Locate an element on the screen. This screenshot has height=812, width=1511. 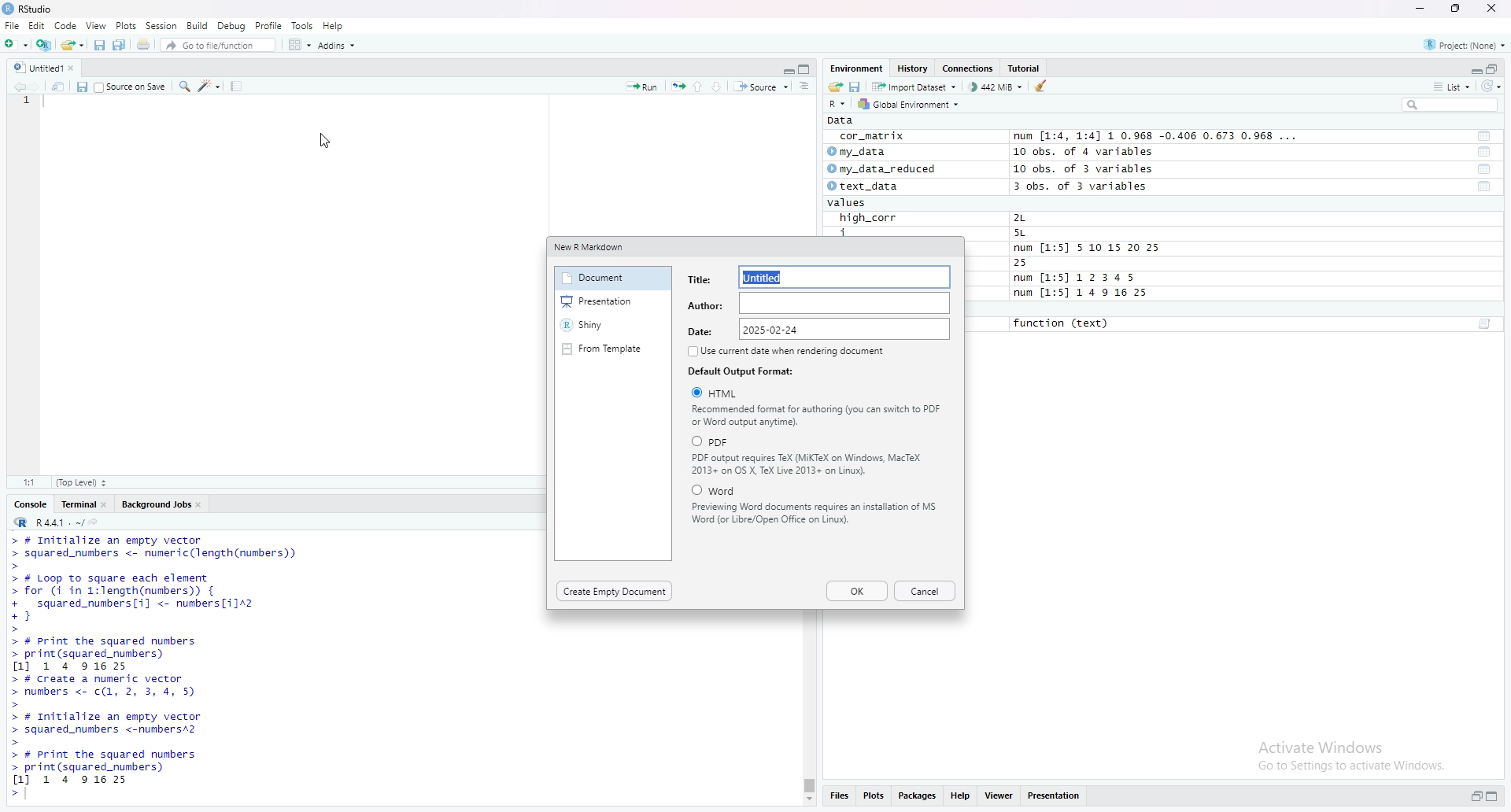
text_data is located at coordinates (869, 186).